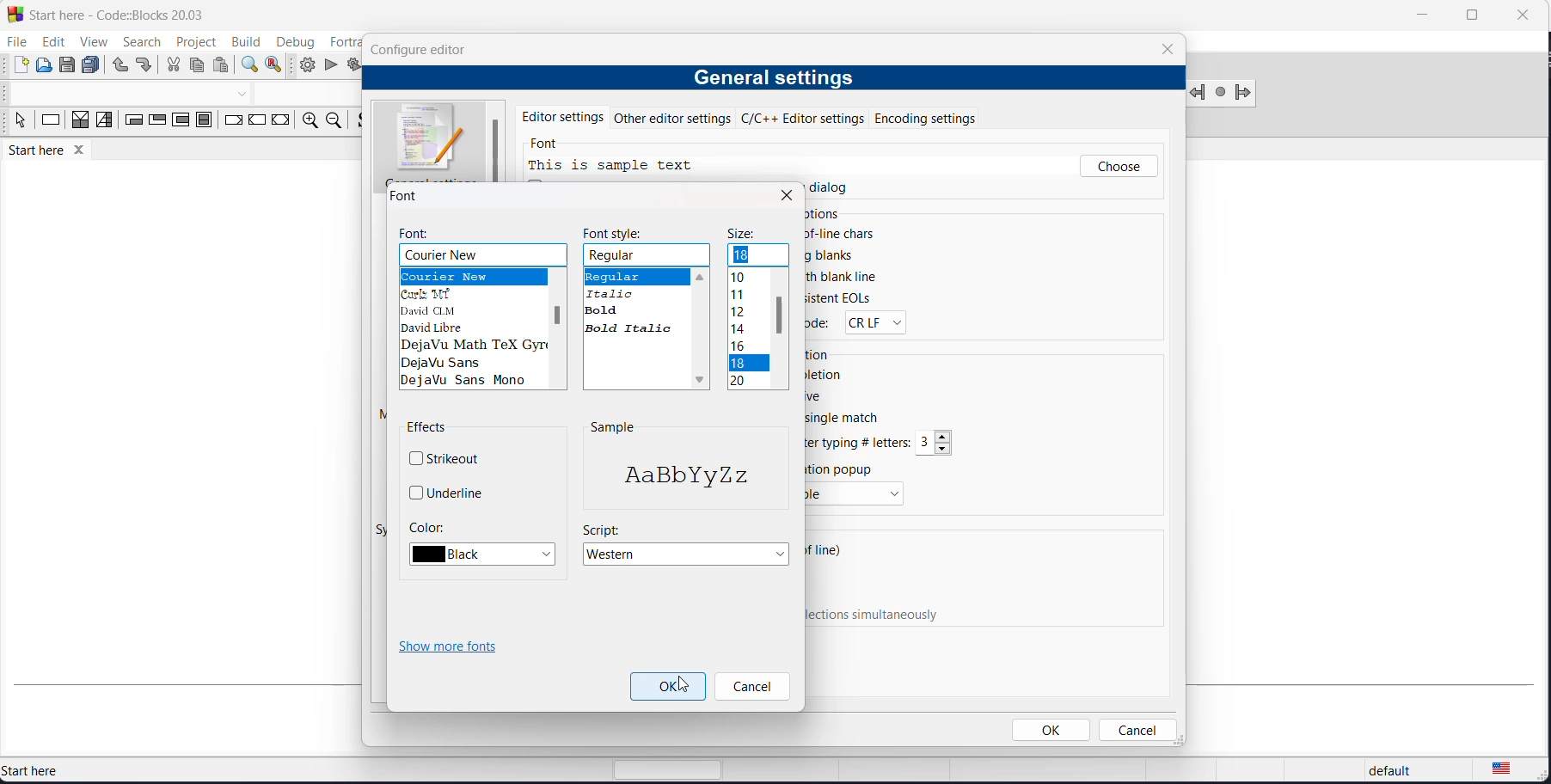  What do you see at coordinates (648, 255) in the screenshot?
I see `regular` at bounding box center [648, 255].